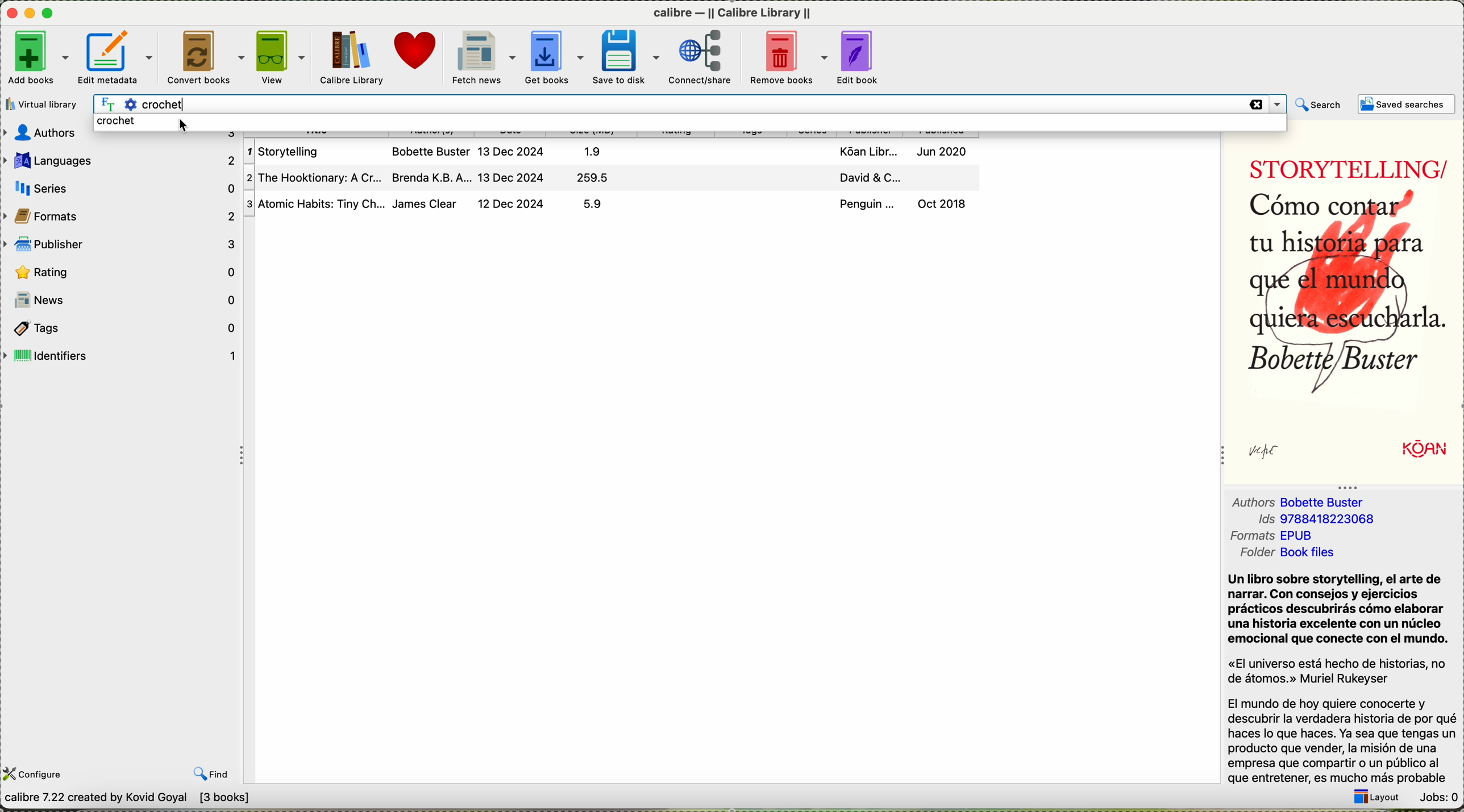 This screenshot has width=1464, height=812. I want to click on «El universo esta hecho de historias, no
de atomos.» Muriel Rukeyser, so click(1340, 672).